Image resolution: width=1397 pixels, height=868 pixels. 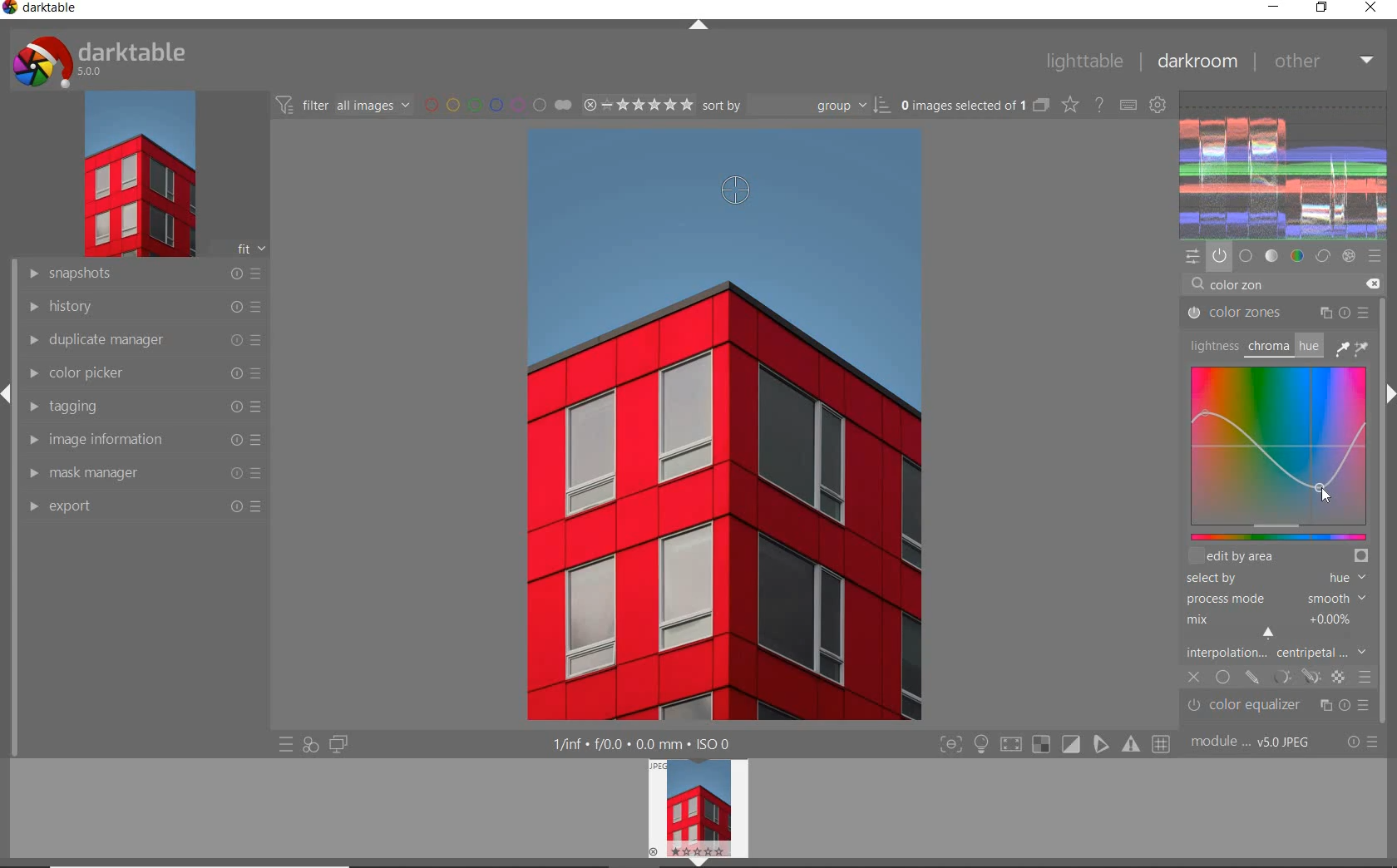 What do you see at coordinates (1159, 106) in the screenshot?
I see `show global preferences` at bounding box center [1159, 106].